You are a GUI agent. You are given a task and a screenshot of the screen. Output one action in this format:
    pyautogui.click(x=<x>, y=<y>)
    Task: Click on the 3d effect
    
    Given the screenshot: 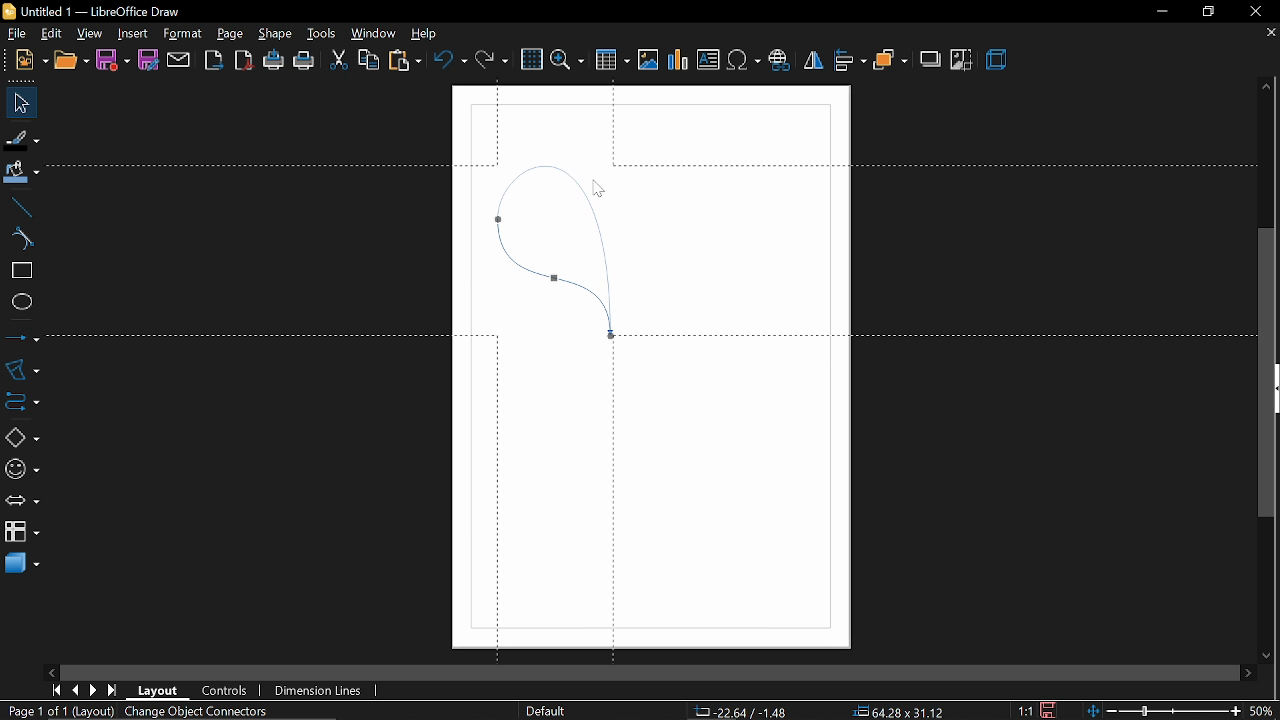 What is the action you would take?
    pyautogui.click(x=997, y=62)
    